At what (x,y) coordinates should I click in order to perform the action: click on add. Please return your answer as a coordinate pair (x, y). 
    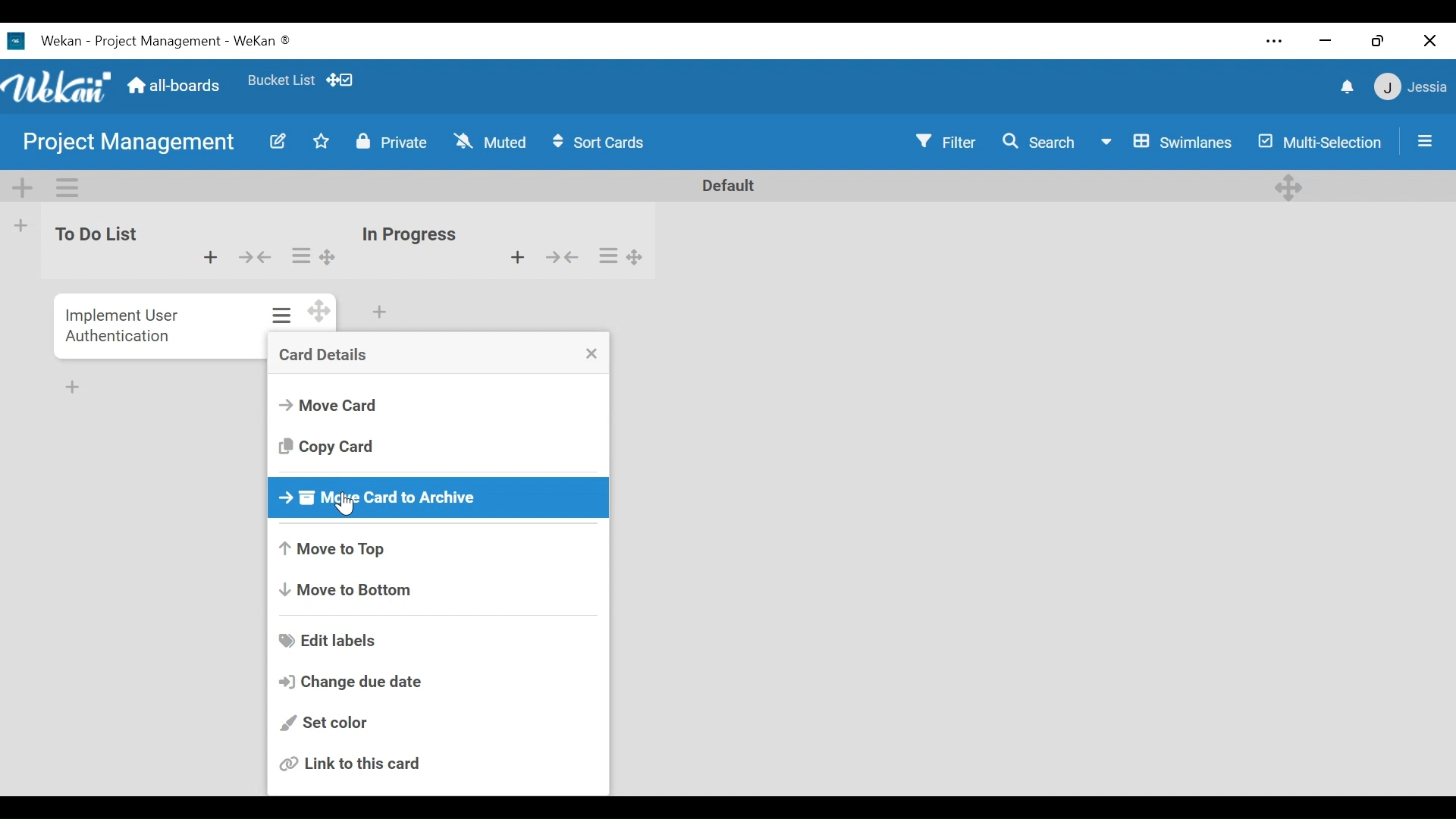
    Looking at the image, I should click on (507, 257).